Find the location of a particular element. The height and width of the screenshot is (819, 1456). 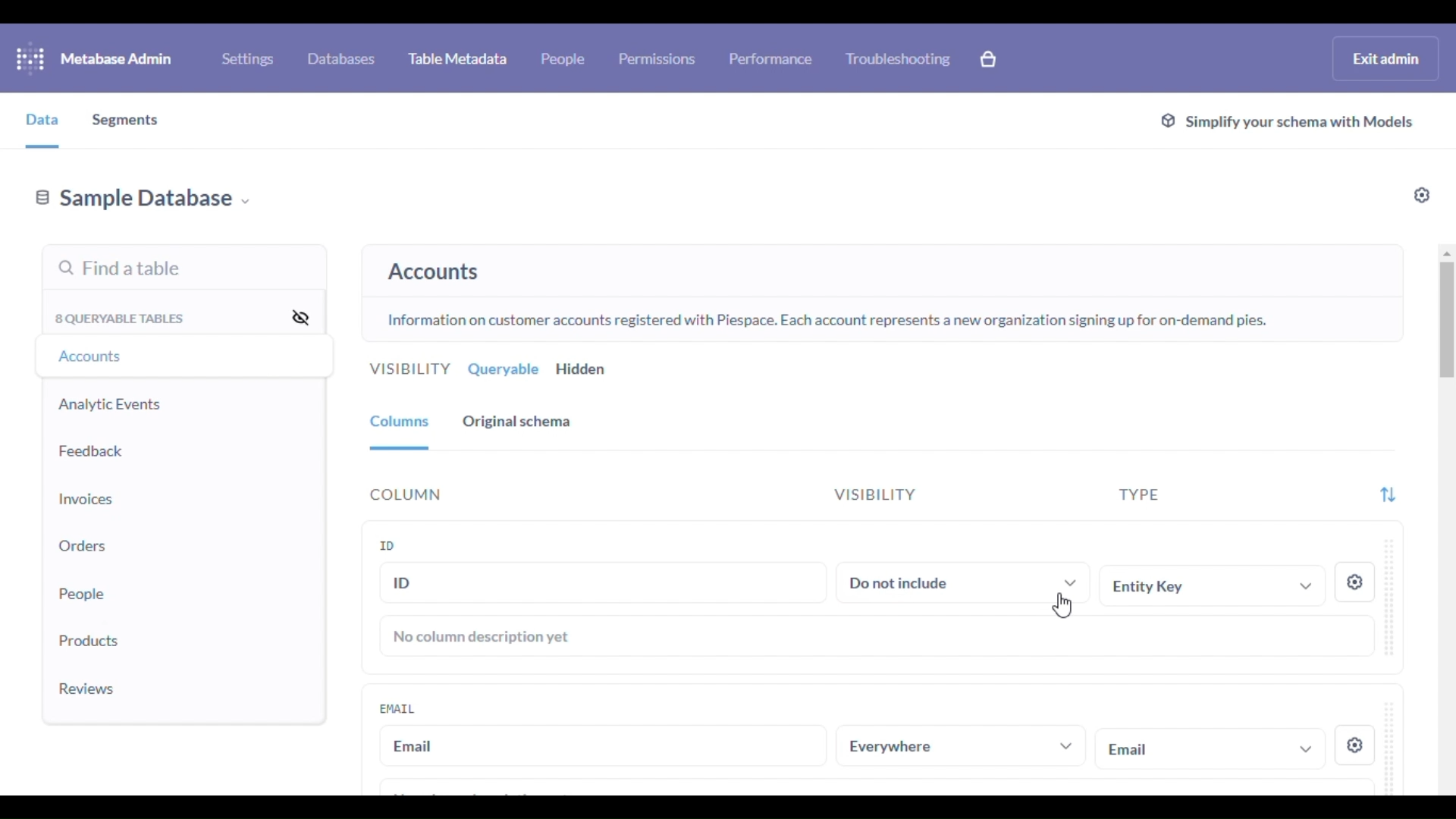

permissions is located at coordinates (658, 58).